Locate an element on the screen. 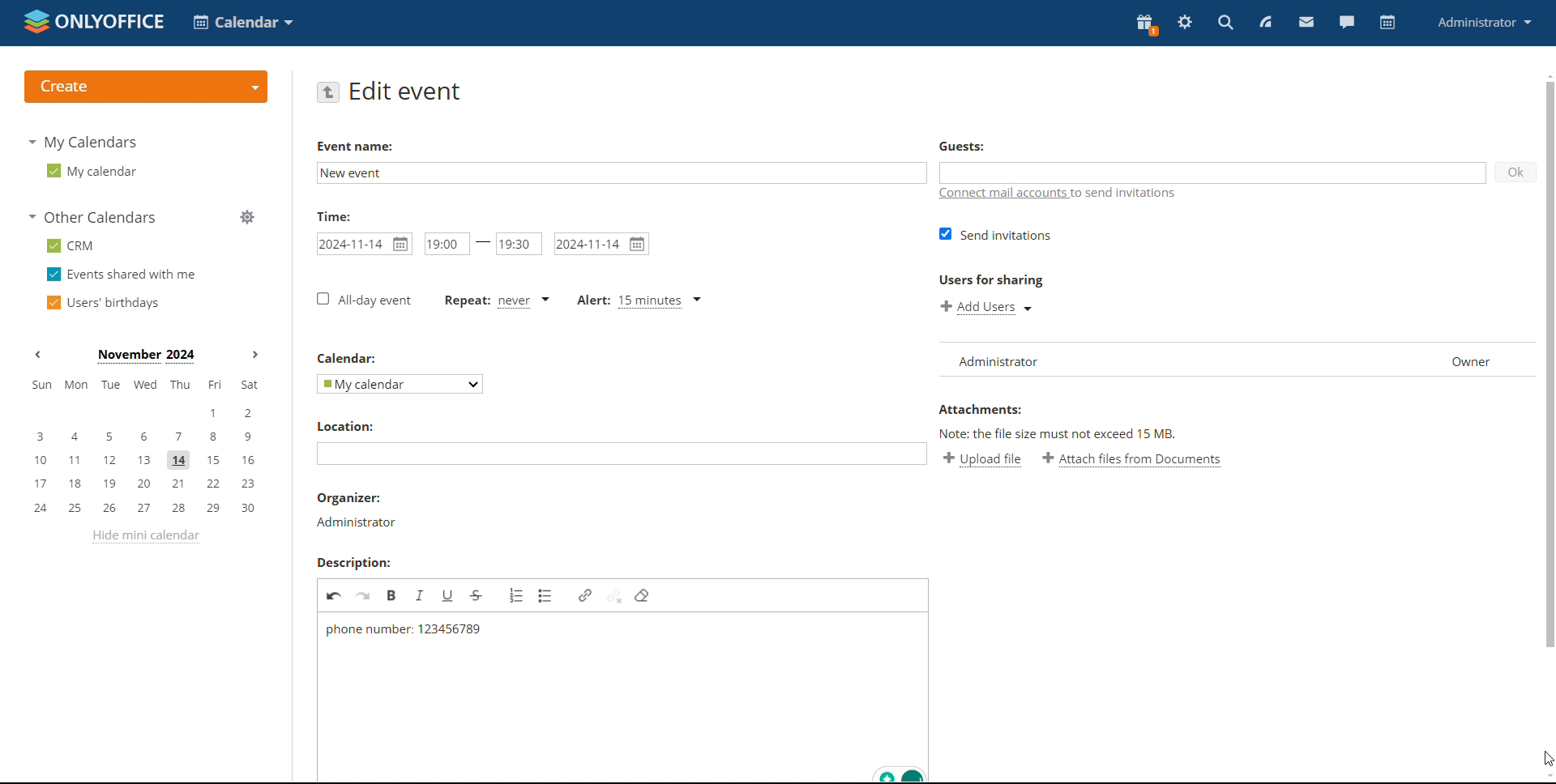 This screenshot has width=1556, height=784. calendar is located at coordinates (1387, 23).